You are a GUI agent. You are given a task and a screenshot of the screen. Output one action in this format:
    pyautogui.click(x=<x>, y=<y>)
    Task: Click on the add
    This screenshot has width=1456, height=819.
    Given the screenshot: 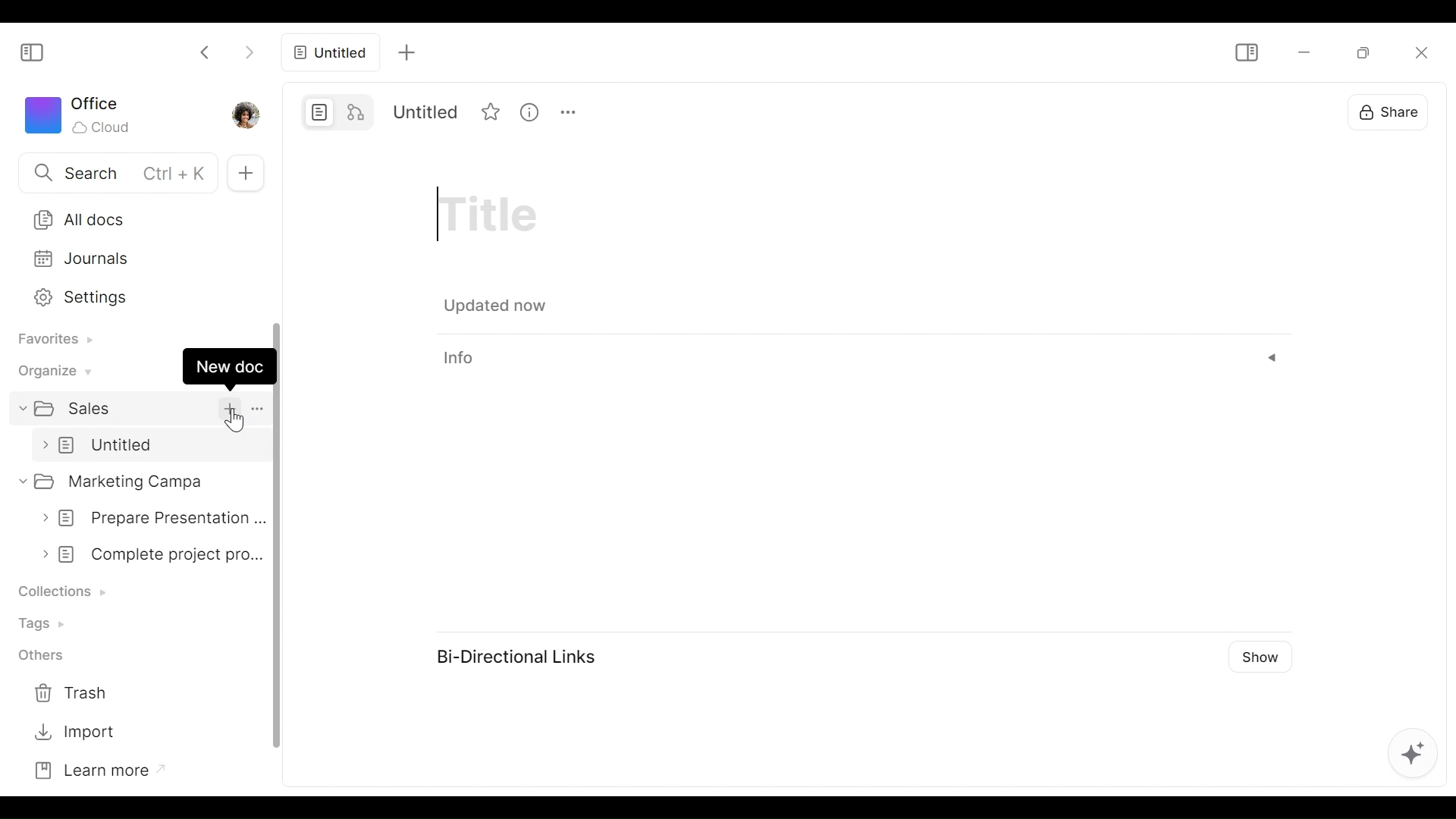 What is the action you would take?
    pyautogui.click(x=228, y=408)
    